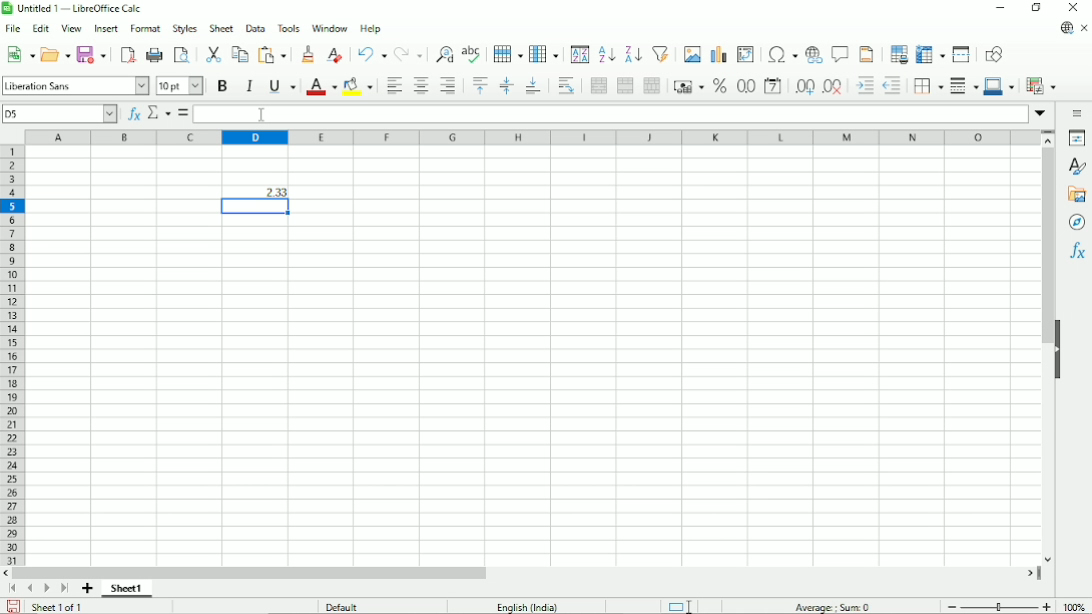  Describe the element at coordinates (681, 605) in the screenshot. I see `Standard selection` at that location.